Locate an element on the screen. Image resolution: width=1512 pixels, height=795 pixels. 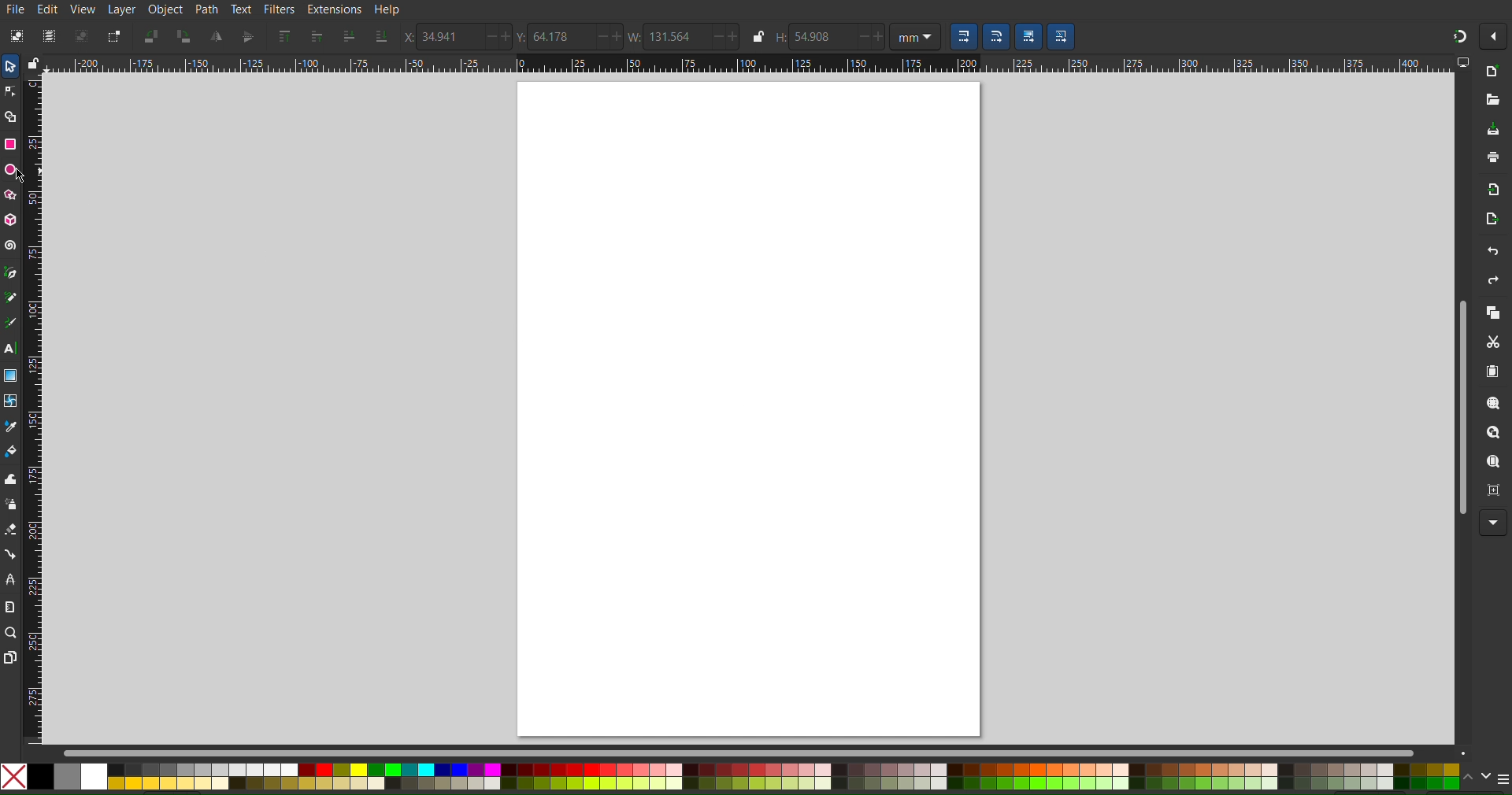
Paste is located at coordinates (1494, 372).